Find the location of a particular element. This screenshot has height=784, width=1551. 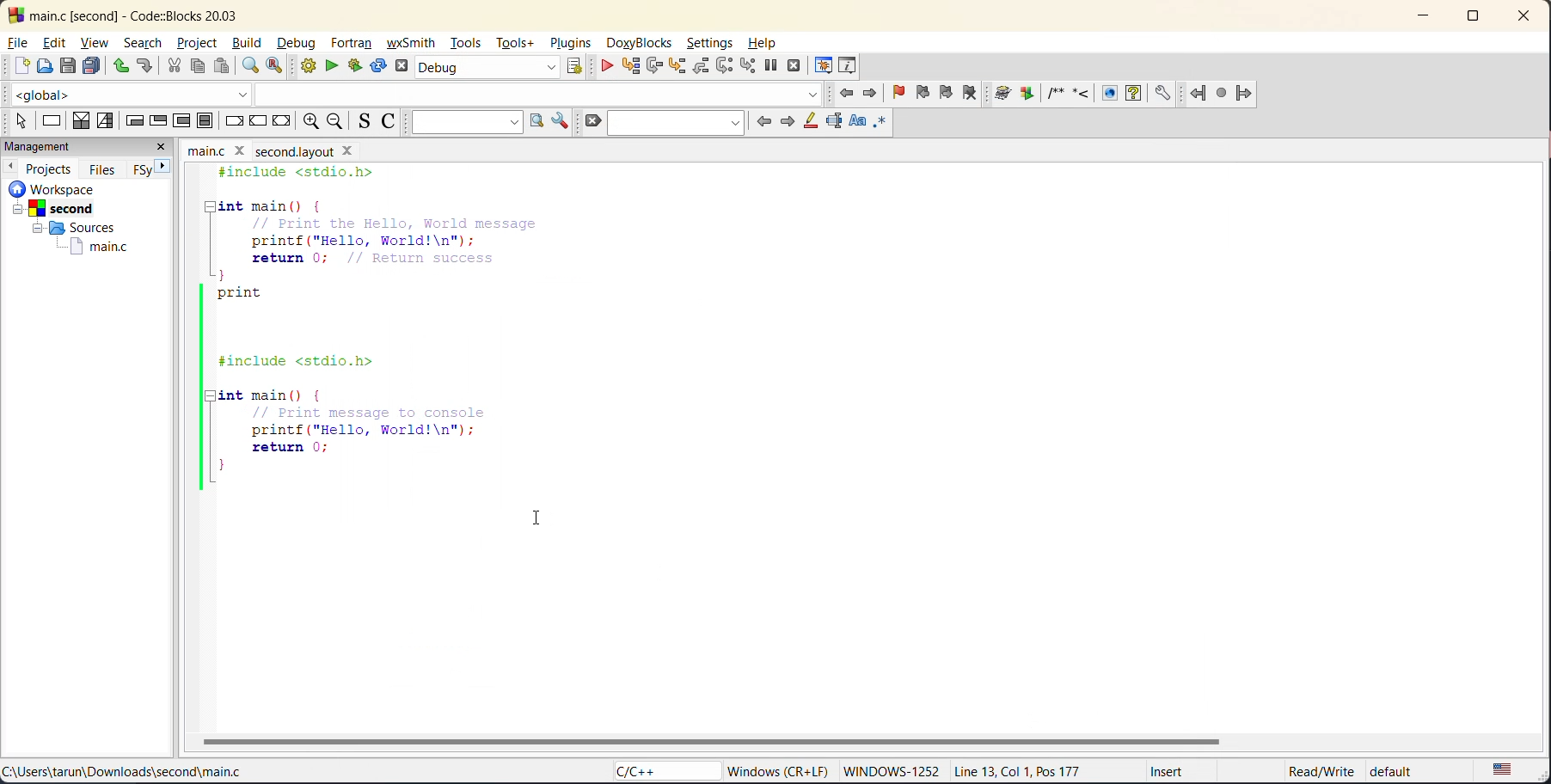

close is located at coordinates (165, 147).